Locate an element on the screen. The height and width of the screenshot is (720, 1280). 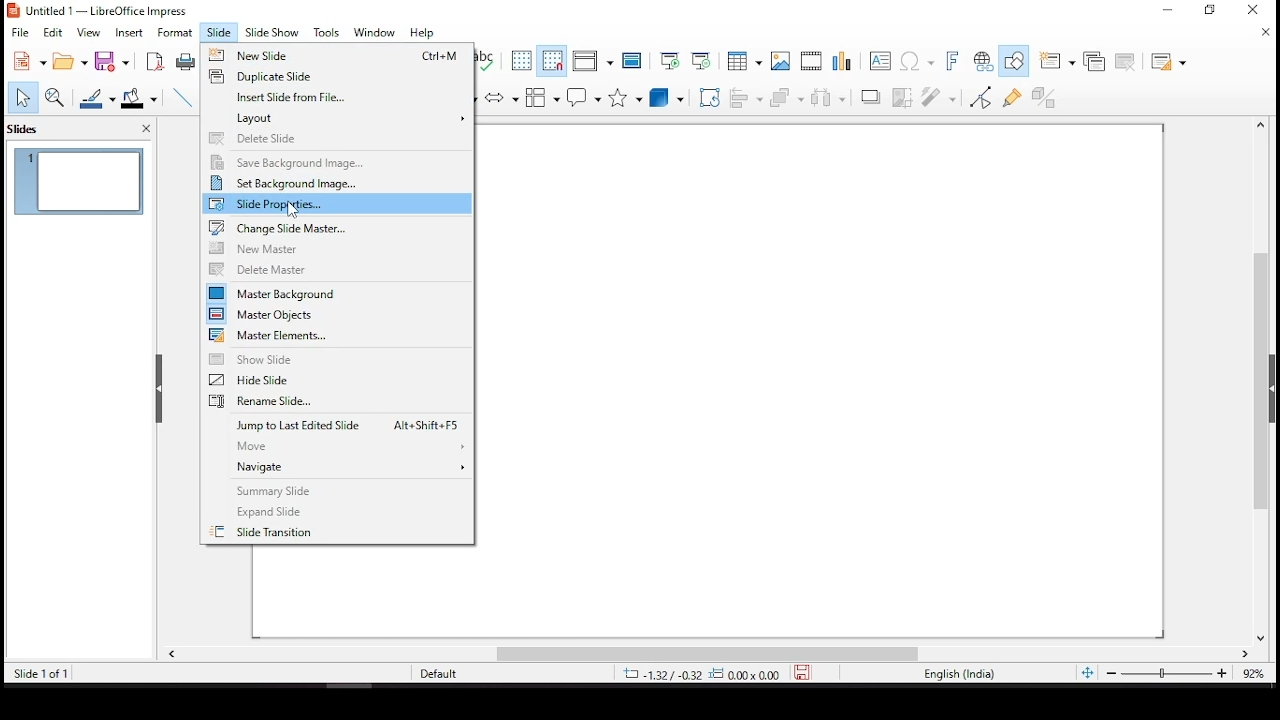
save background image is located at coordinates (334, 162).